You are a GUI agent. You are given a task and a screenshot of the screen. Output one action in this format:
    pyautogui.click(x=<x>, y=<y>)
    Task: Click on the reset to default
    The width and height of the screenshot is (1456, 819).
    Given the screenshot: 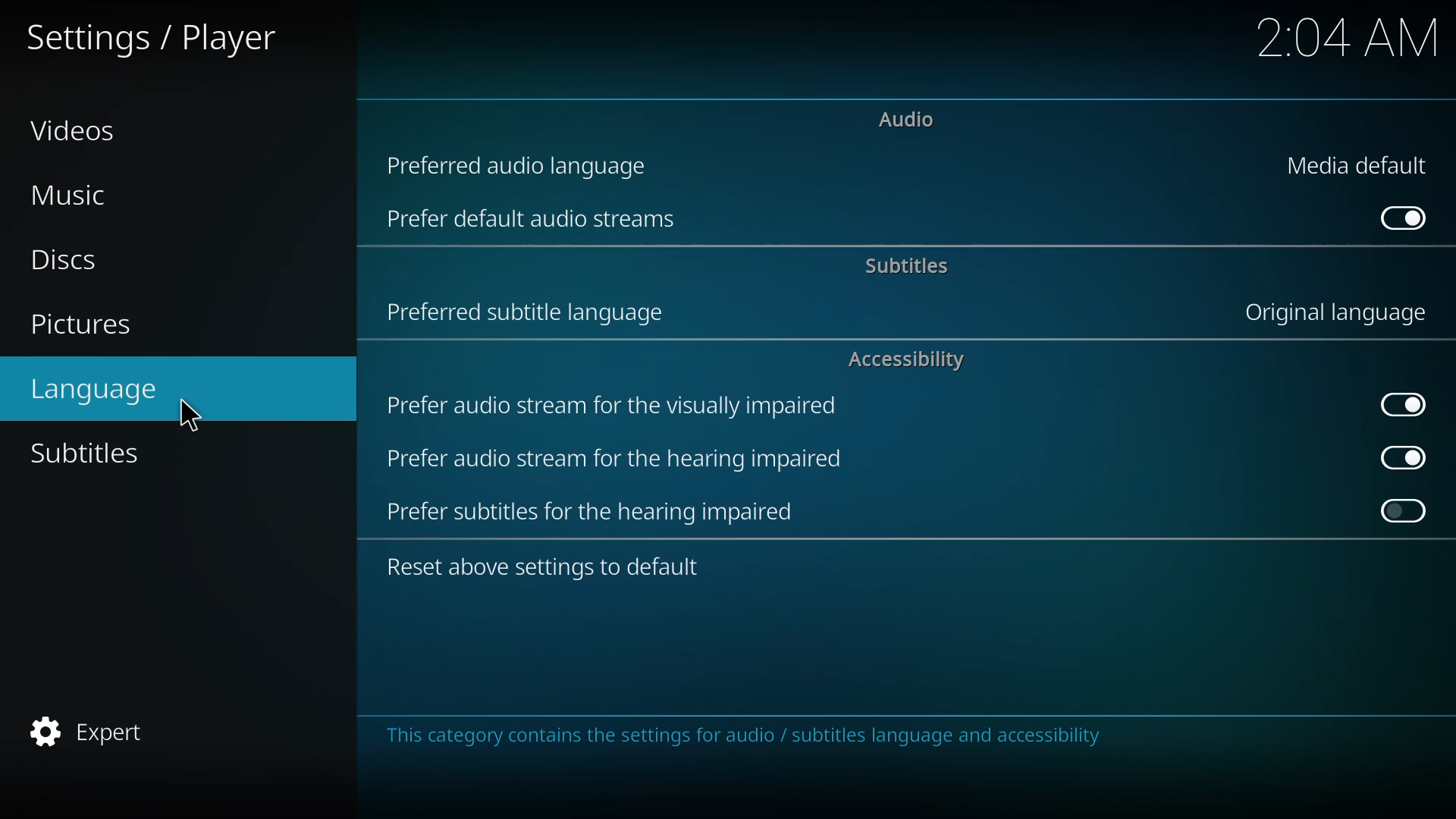 What is the action you would take?
    pyautogui.click(x=549, y=566)
    